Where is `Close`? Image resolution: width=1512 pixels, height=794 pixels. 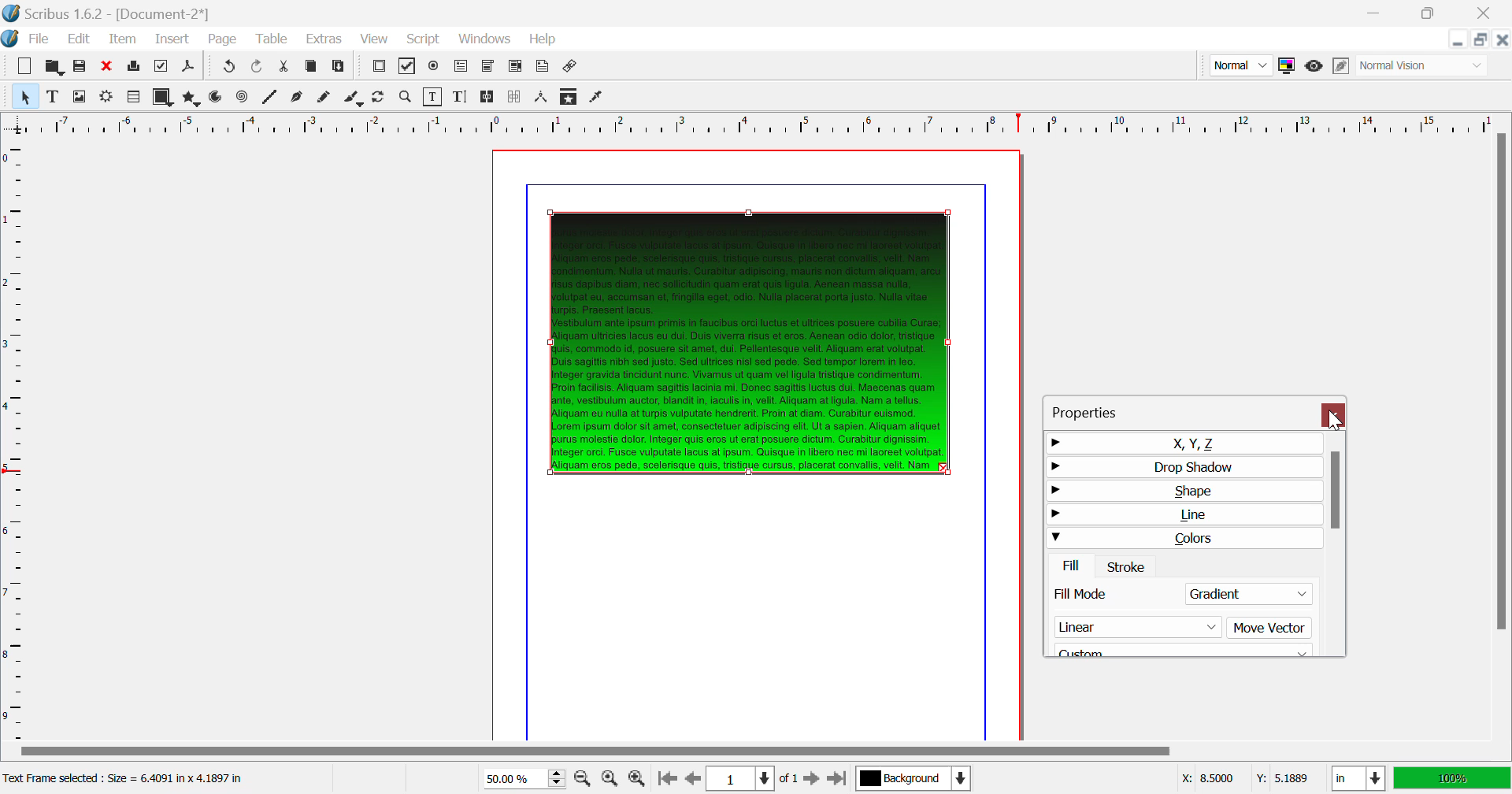
Close is located at coordinates (1503, 39).